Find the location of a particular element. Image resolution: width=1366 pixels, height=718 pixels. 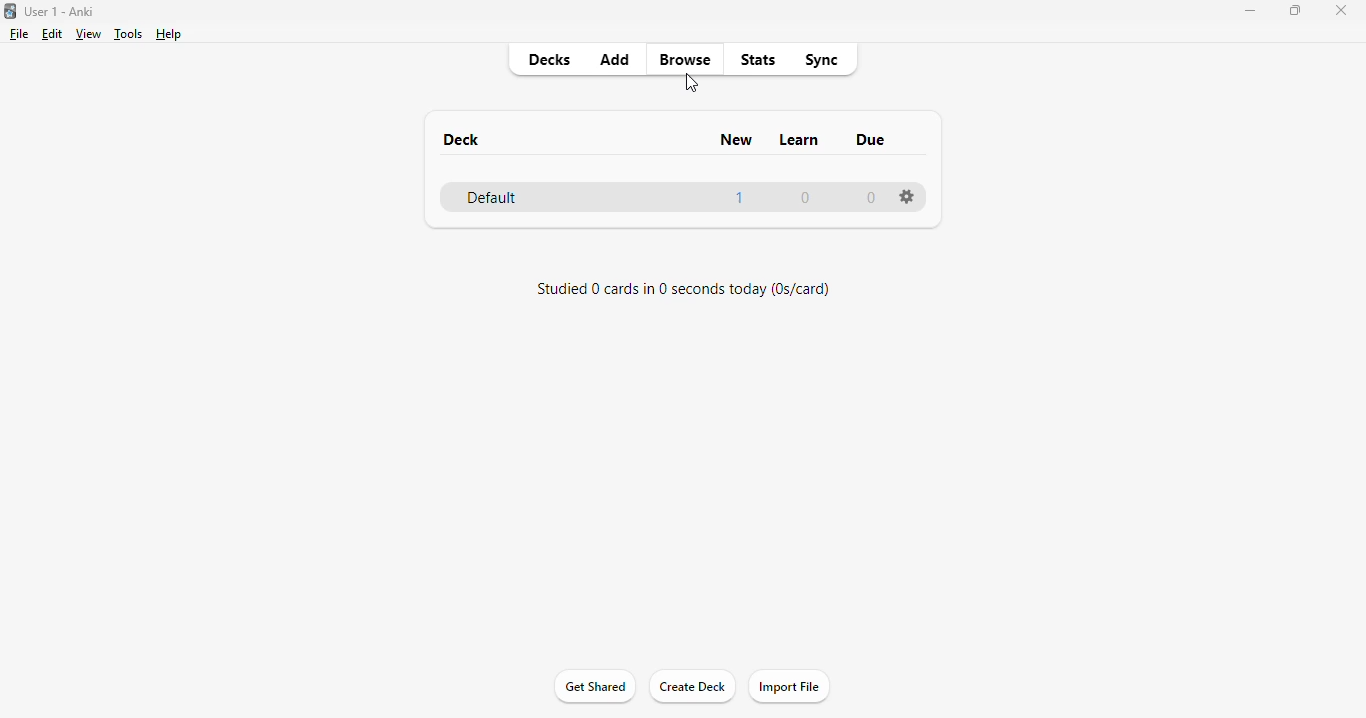

cursor is located at coordinates (692, 82).